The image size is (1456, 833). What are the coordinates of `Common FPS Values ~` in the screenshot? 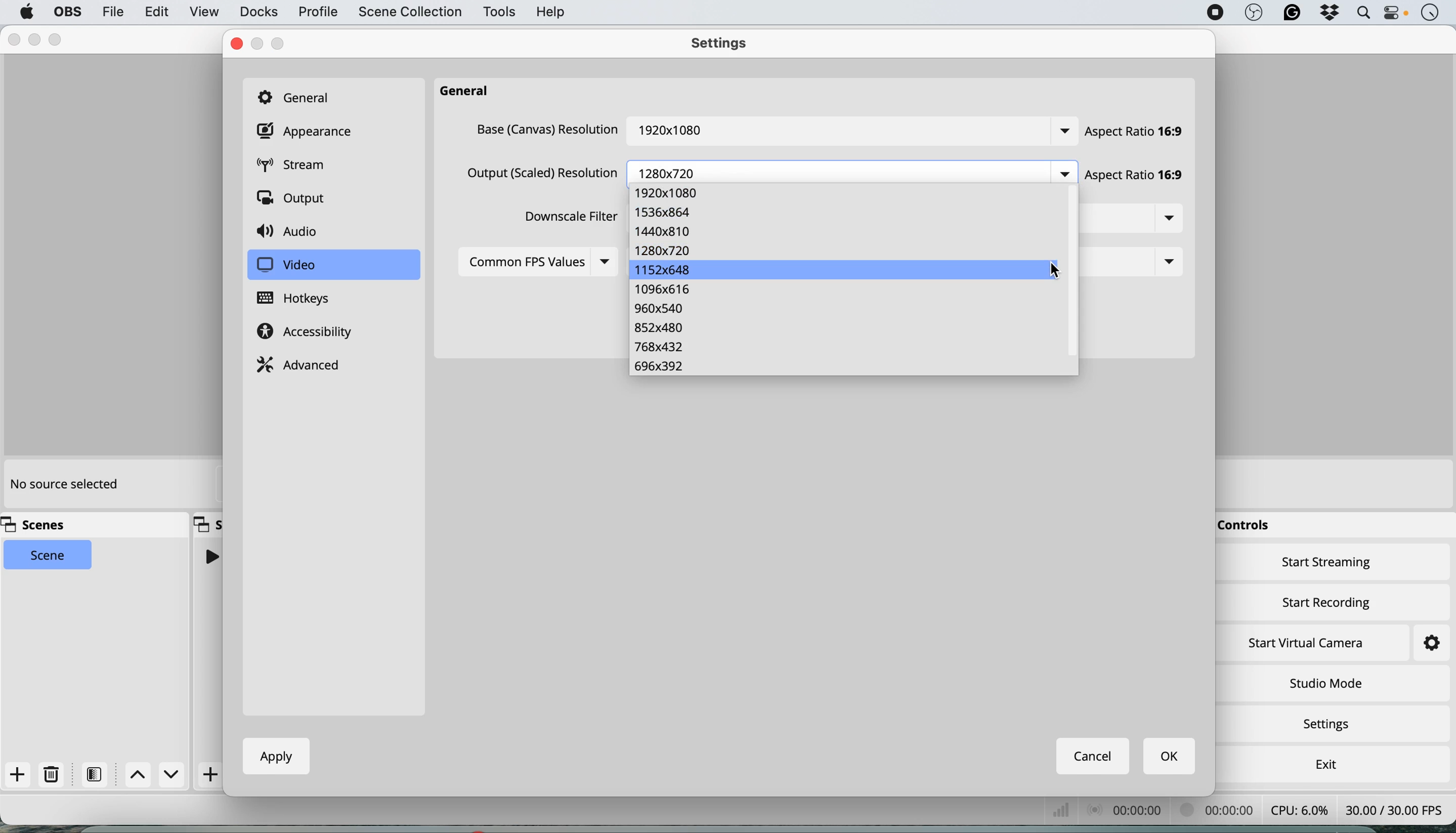 It's located at (519, 264).